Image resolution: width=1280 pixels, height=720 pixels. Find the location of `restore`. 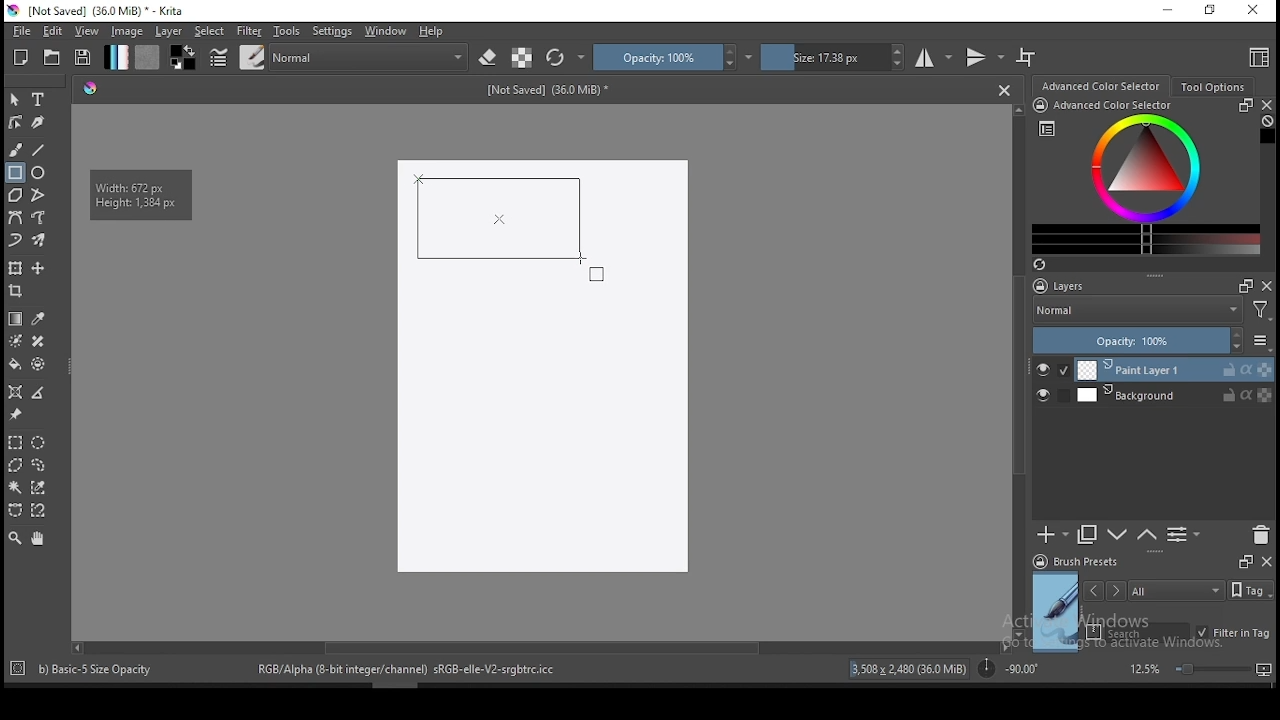

restore is located at coordinates (1214, 11).